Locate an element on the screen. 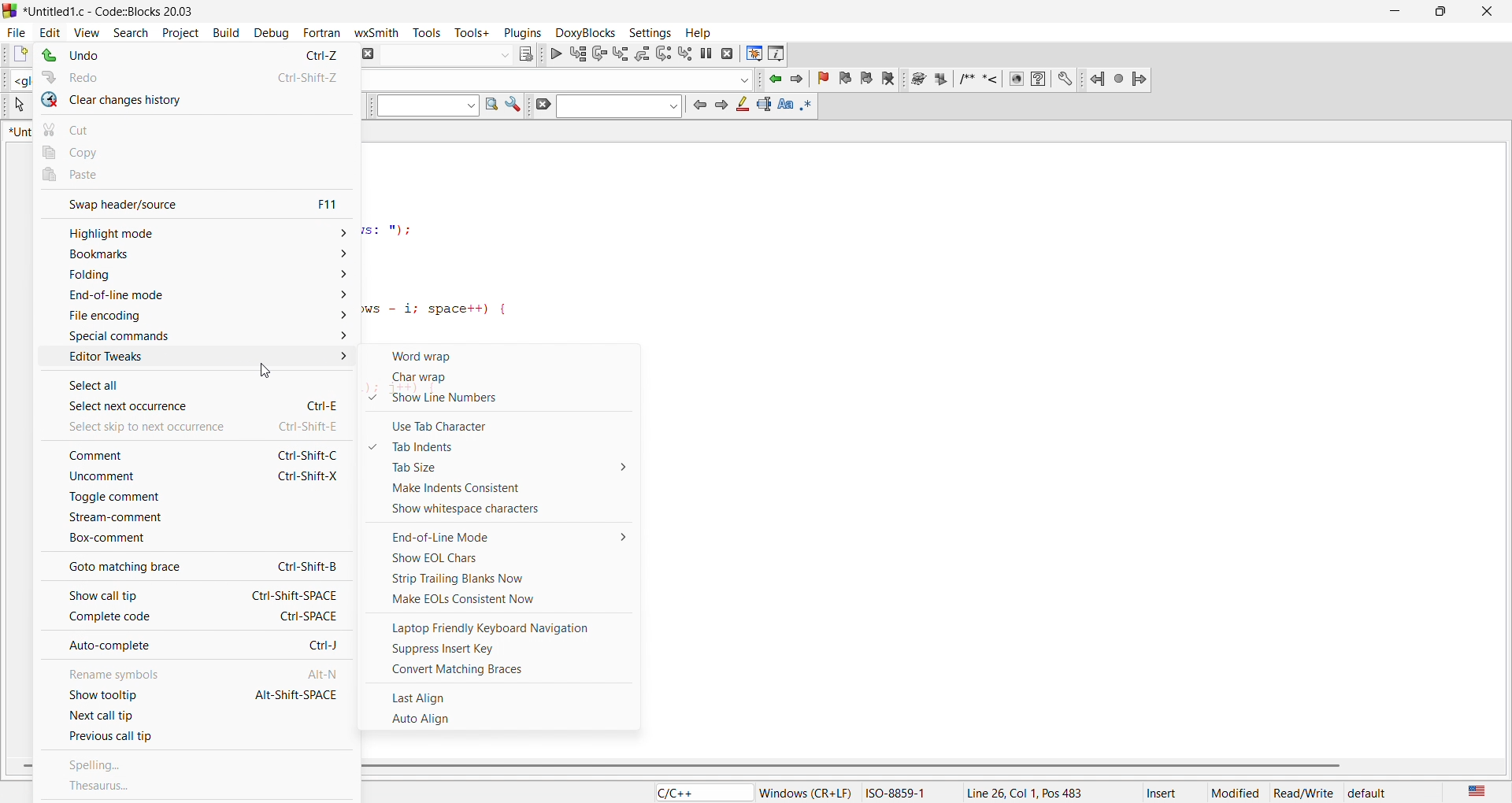 Image resolution: width=1512 pixels, height=803 pixels. Ctrl-Shift-C is located at coordinates (307, 456).